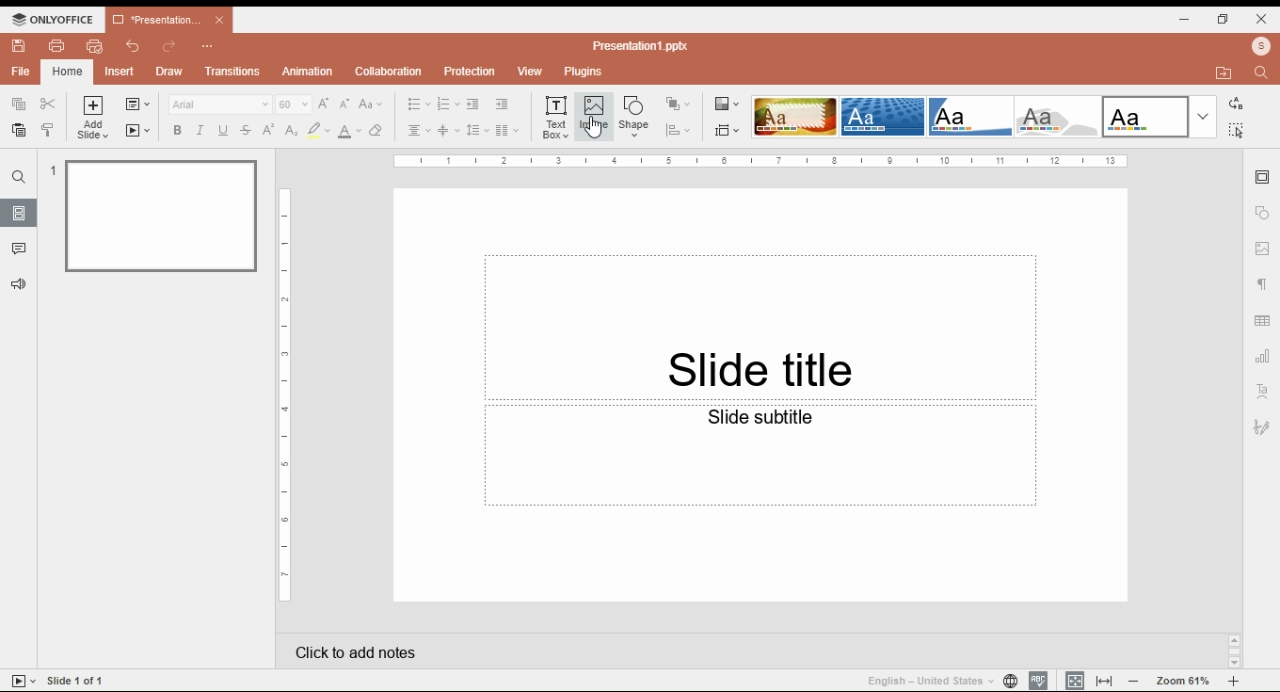  Describe the element at coordinates (679, 131) in the screenshot. I see `align shapes` at that location.